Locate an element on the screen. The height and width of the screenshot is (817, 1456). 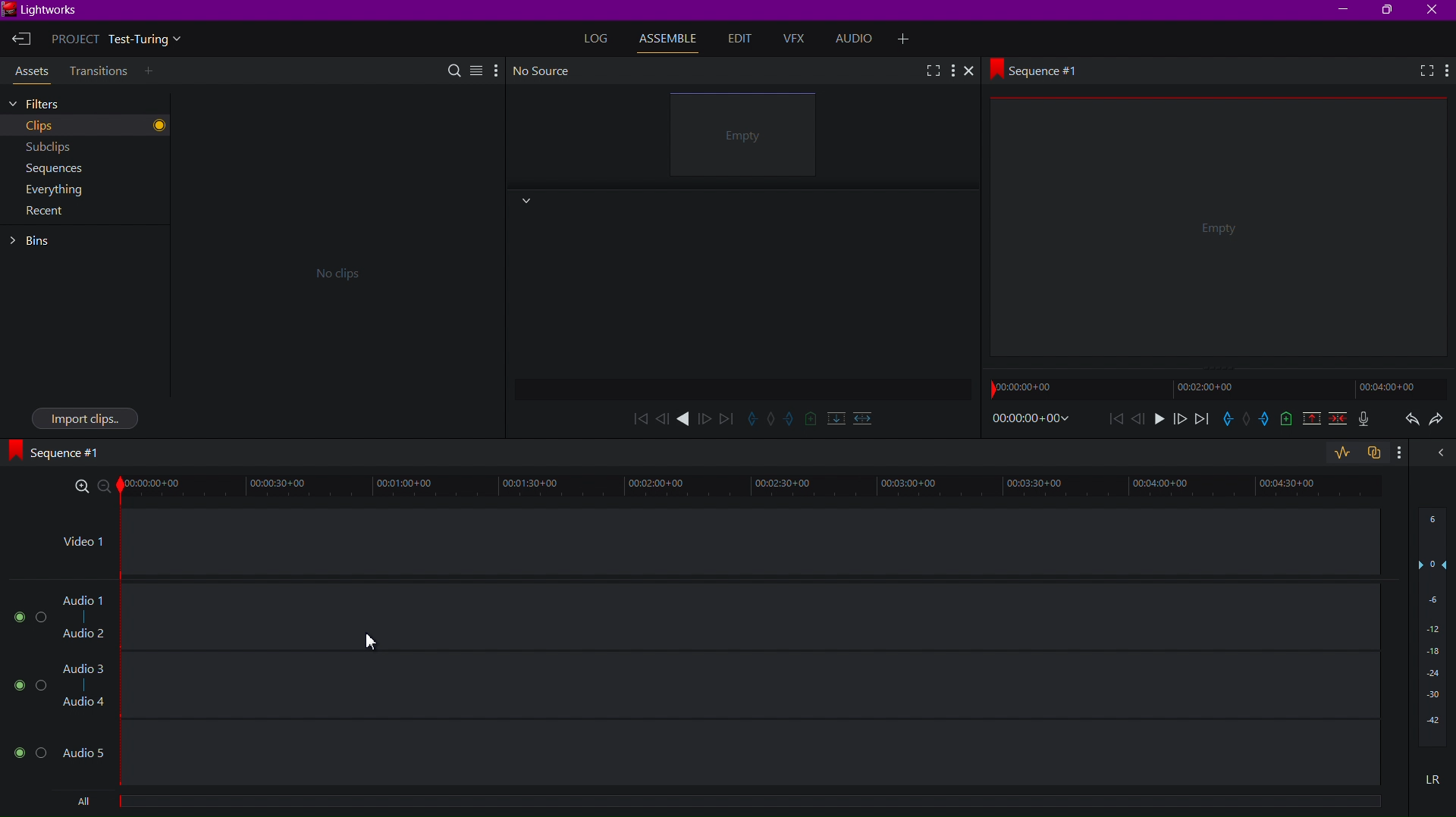
Assemble is located at coordinates (672, 39).